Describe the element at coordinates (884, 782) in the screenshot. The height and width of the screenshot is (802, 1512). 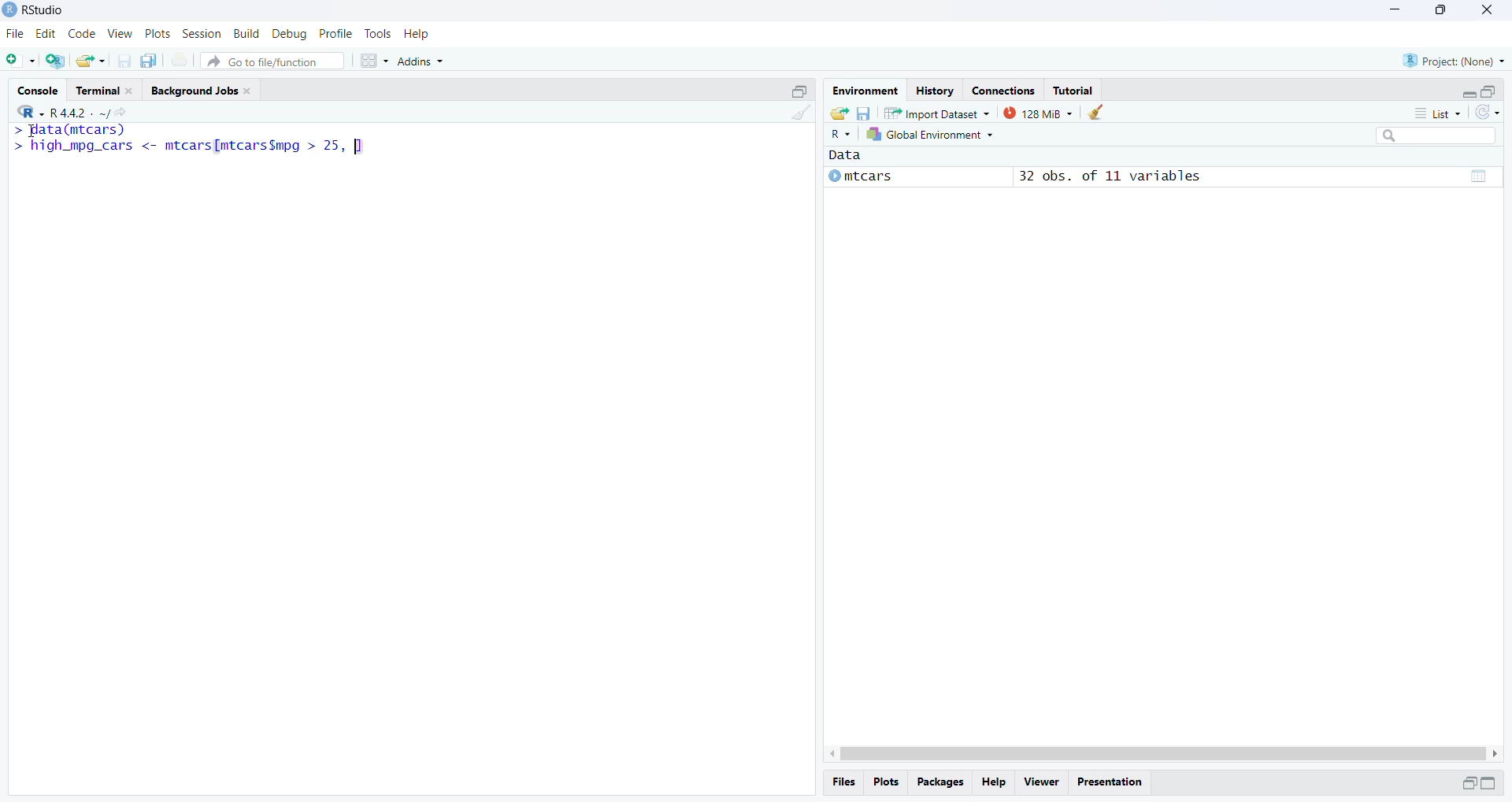
I see `Plots` at that location.